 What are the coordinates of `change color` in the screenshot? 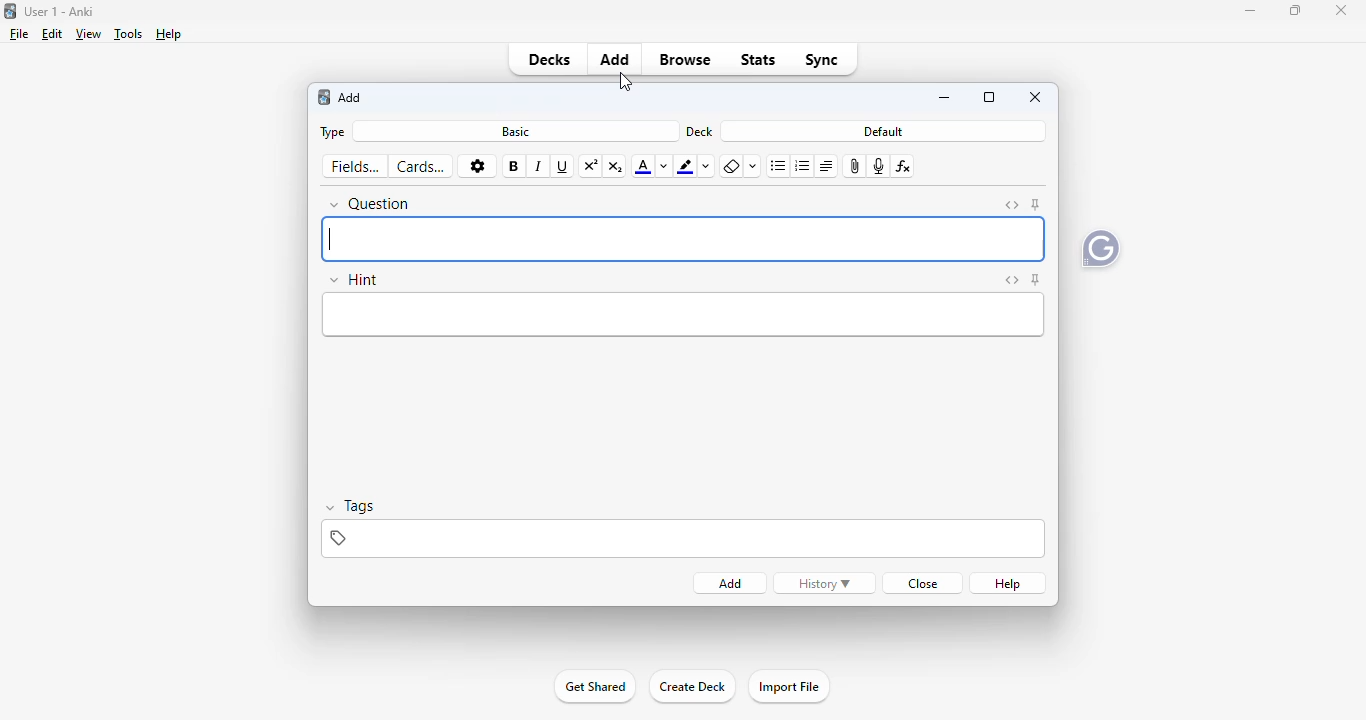 It's located at (664, 167).